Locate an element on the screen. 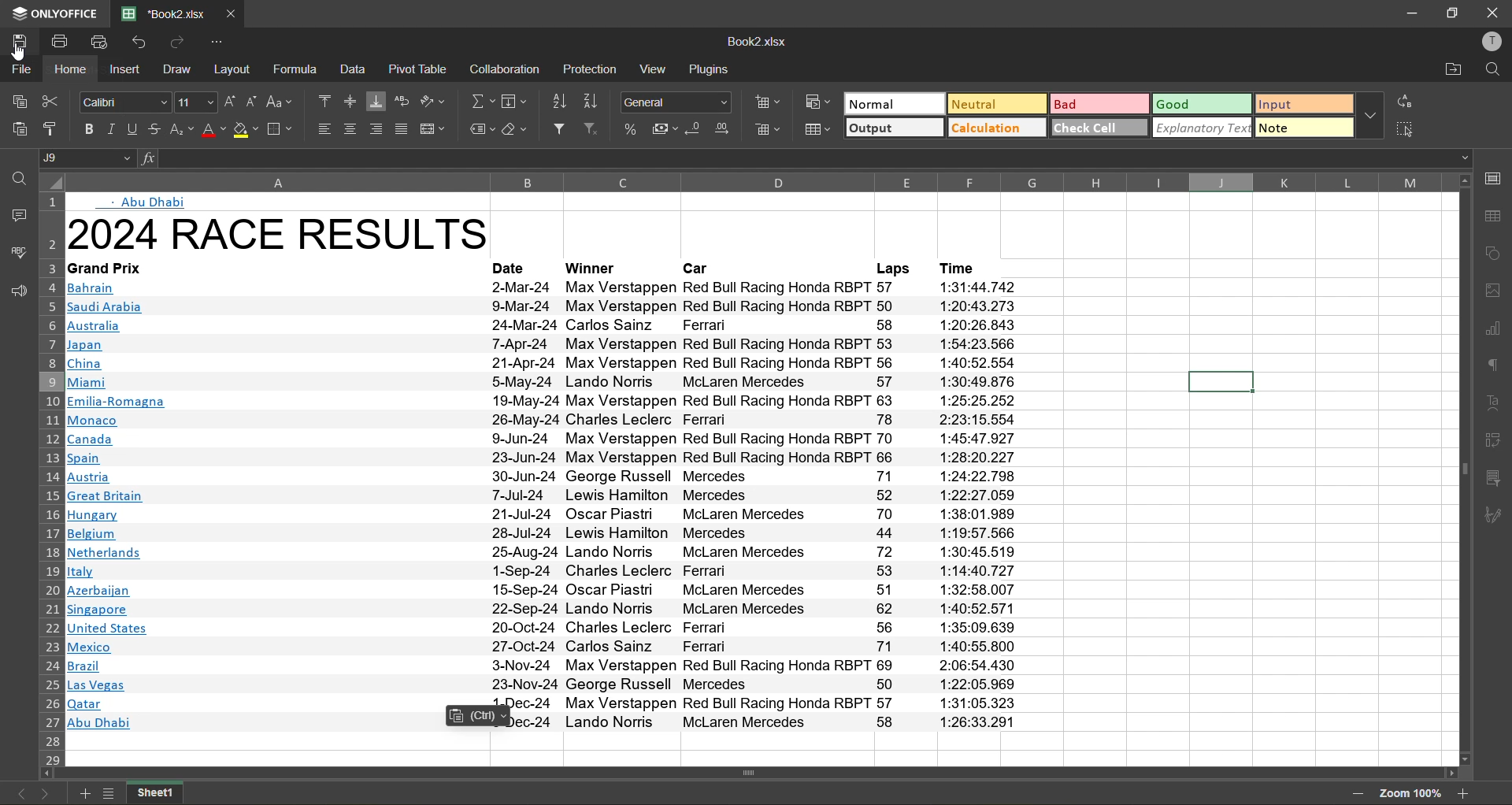 The width and height of the screenshot is (1512, 805). move down is located at coordinates (1466, 759).